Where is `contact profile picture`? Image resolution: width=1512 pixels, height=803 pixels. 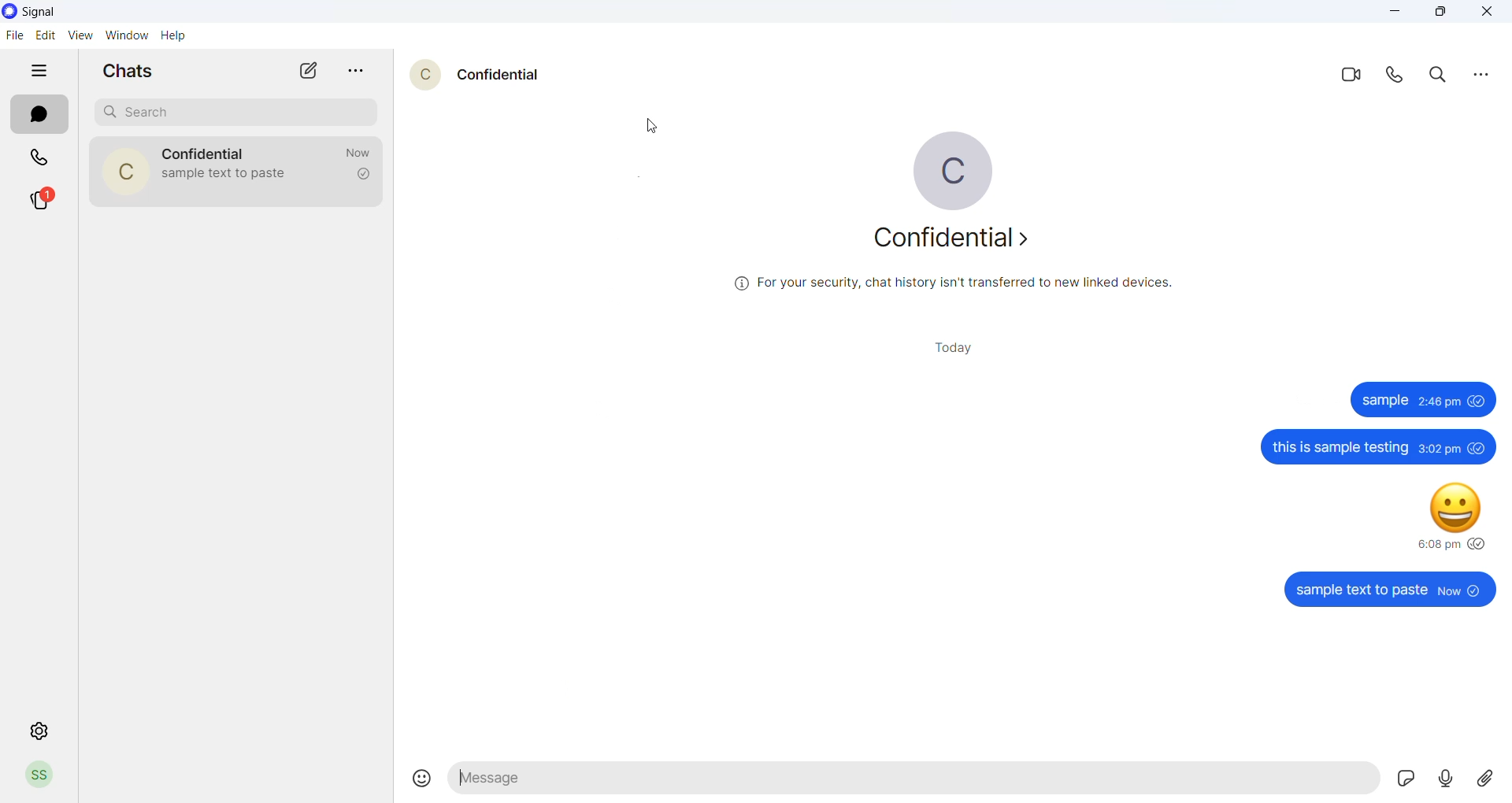 contact profile picture is located at coordinates (130, 173).